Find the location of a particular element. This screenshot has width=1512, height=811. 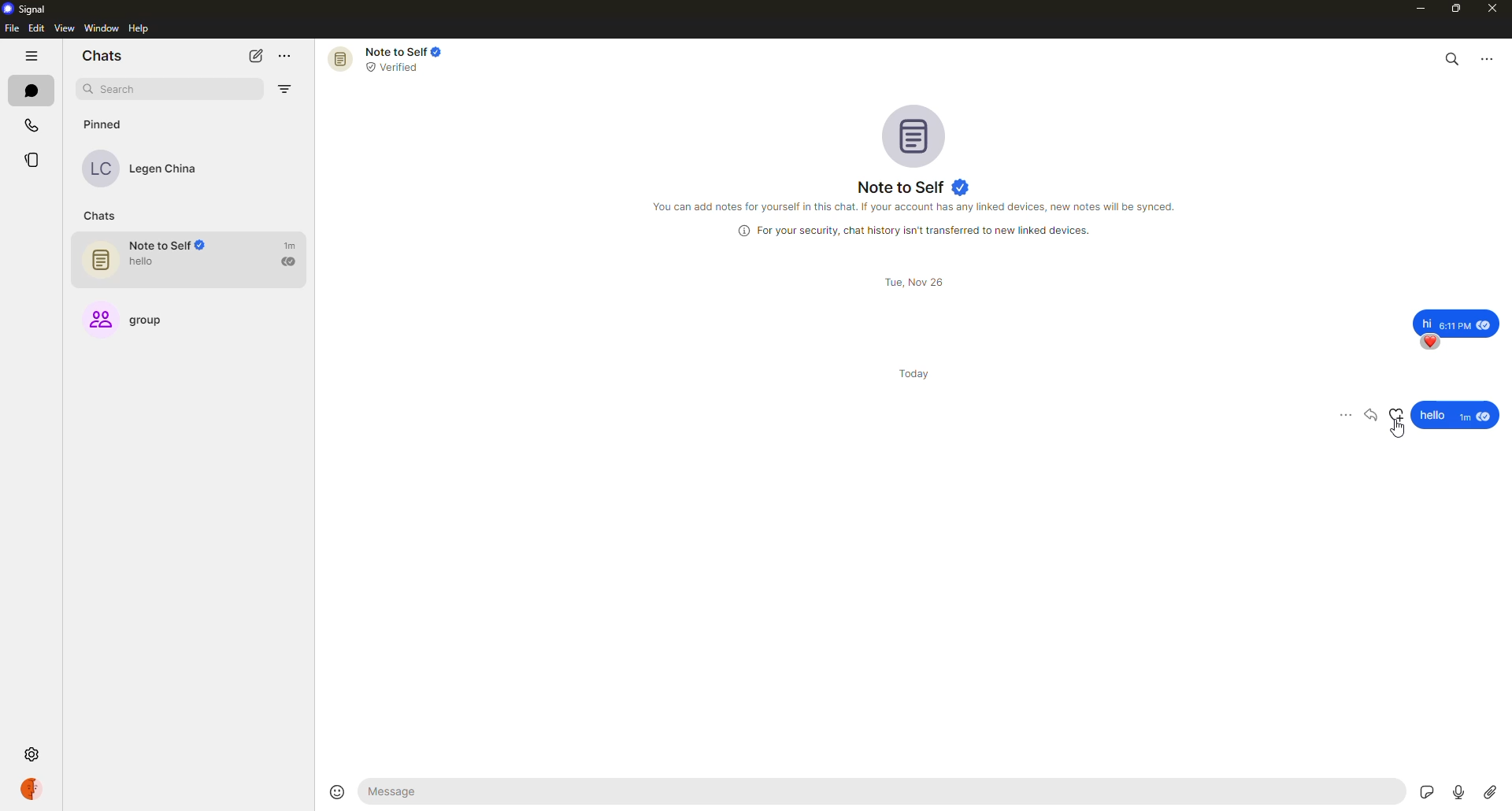

close is located at coordinates (1494, 10).